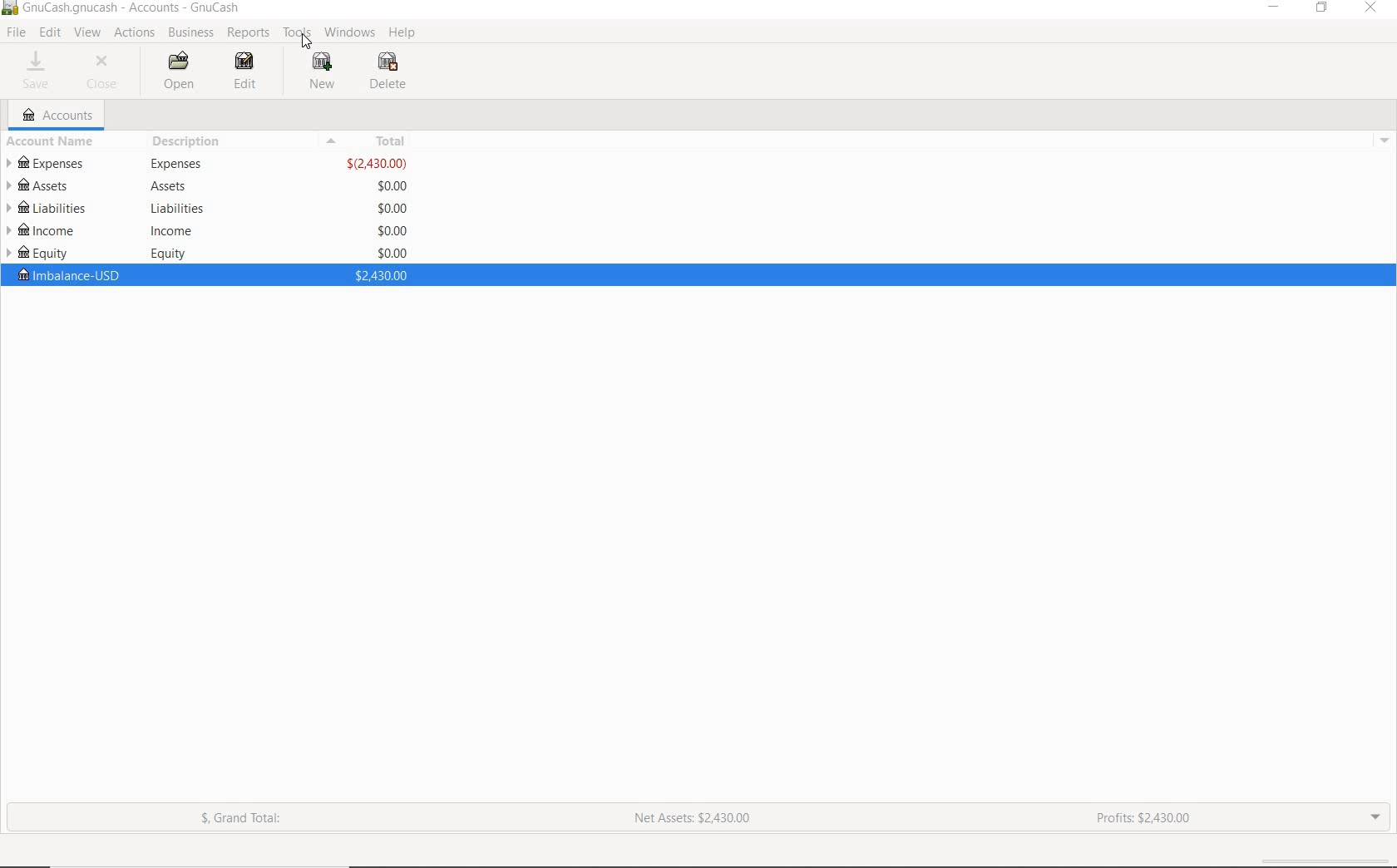 The width and height of the screenshot is (1397, 868). I want to click on , so click(176, 208).